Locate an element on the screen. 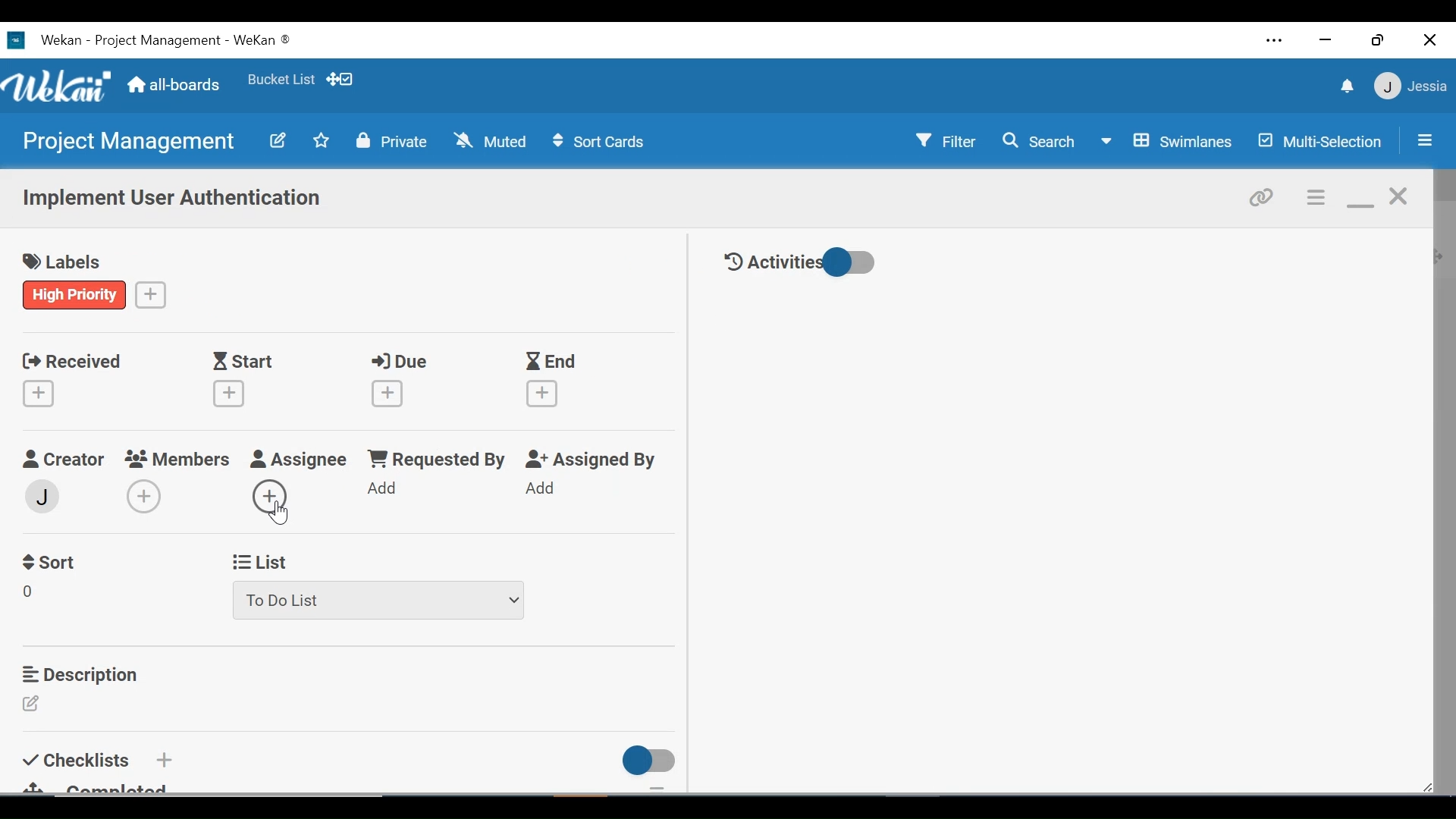 Image resolution: width=1456 pixels, height=819 pixels. Sort is located at coordinates (52, 560).